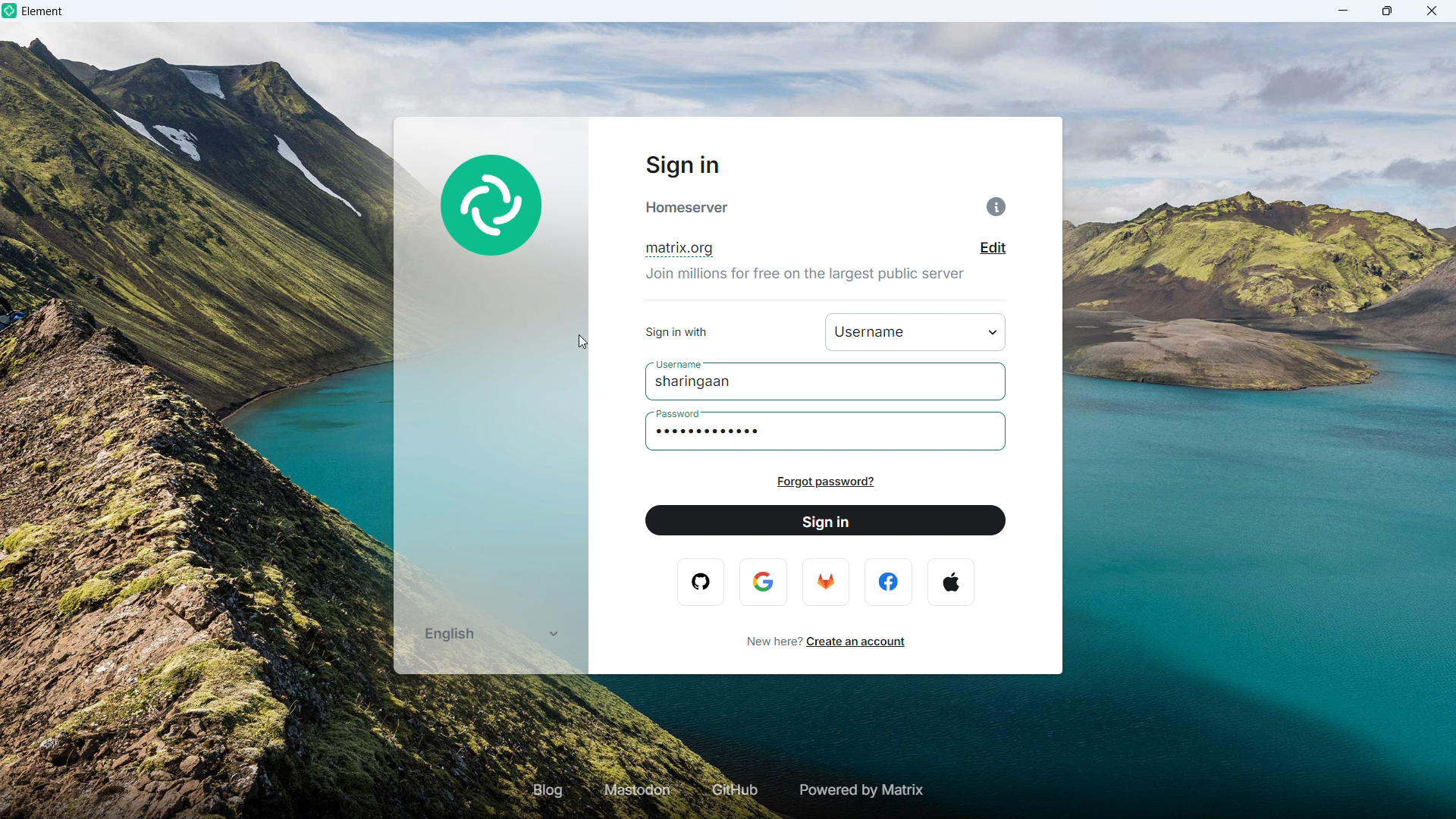  Describe the element at coordinates (1388, 11) in the screenshot. I see `maximize` at that location.